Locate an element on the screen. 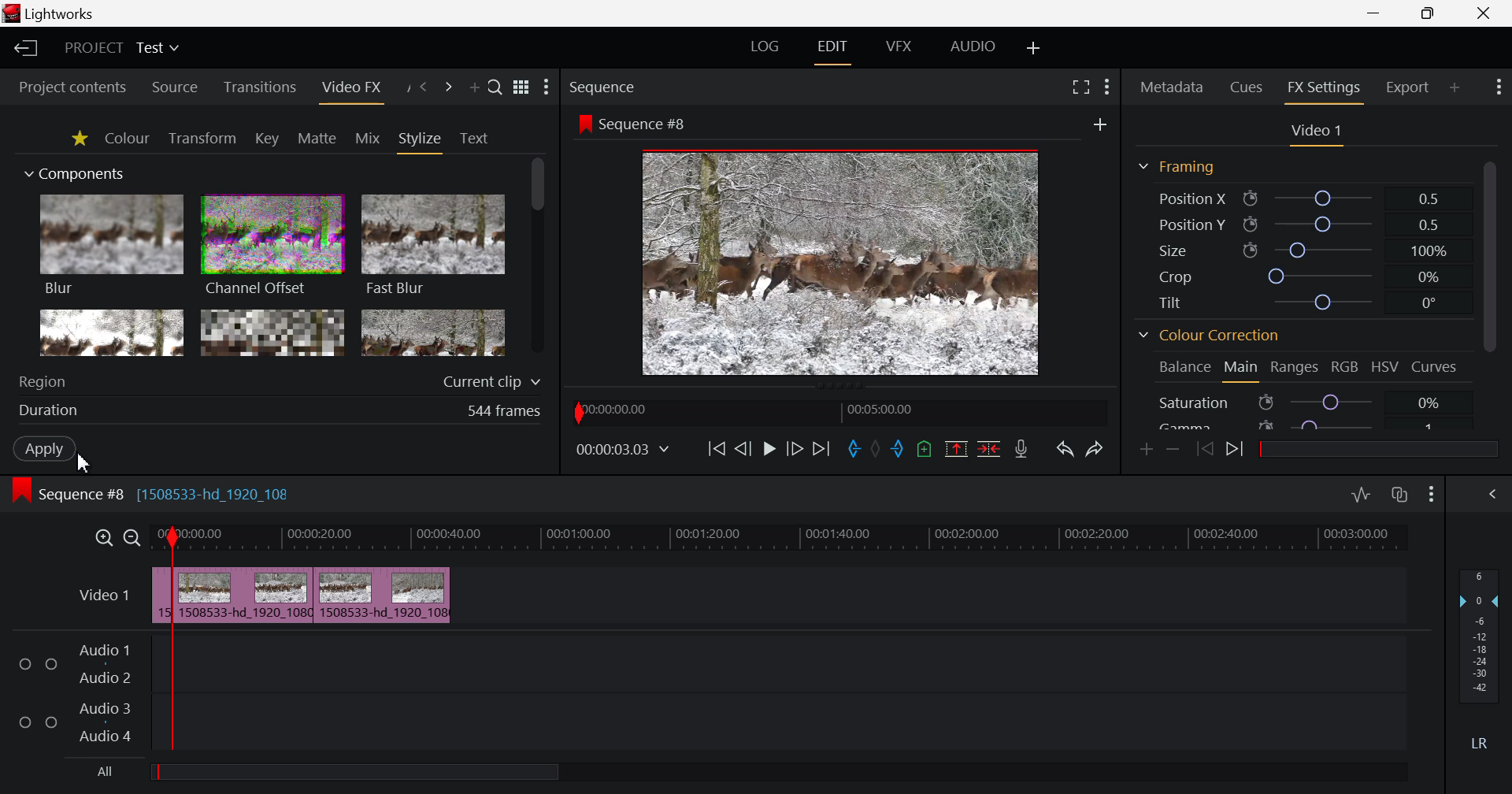 Image resolution: width=1512 pixels, height=794 pixels. Scroll Bar is located at coordinates (1490, 291).